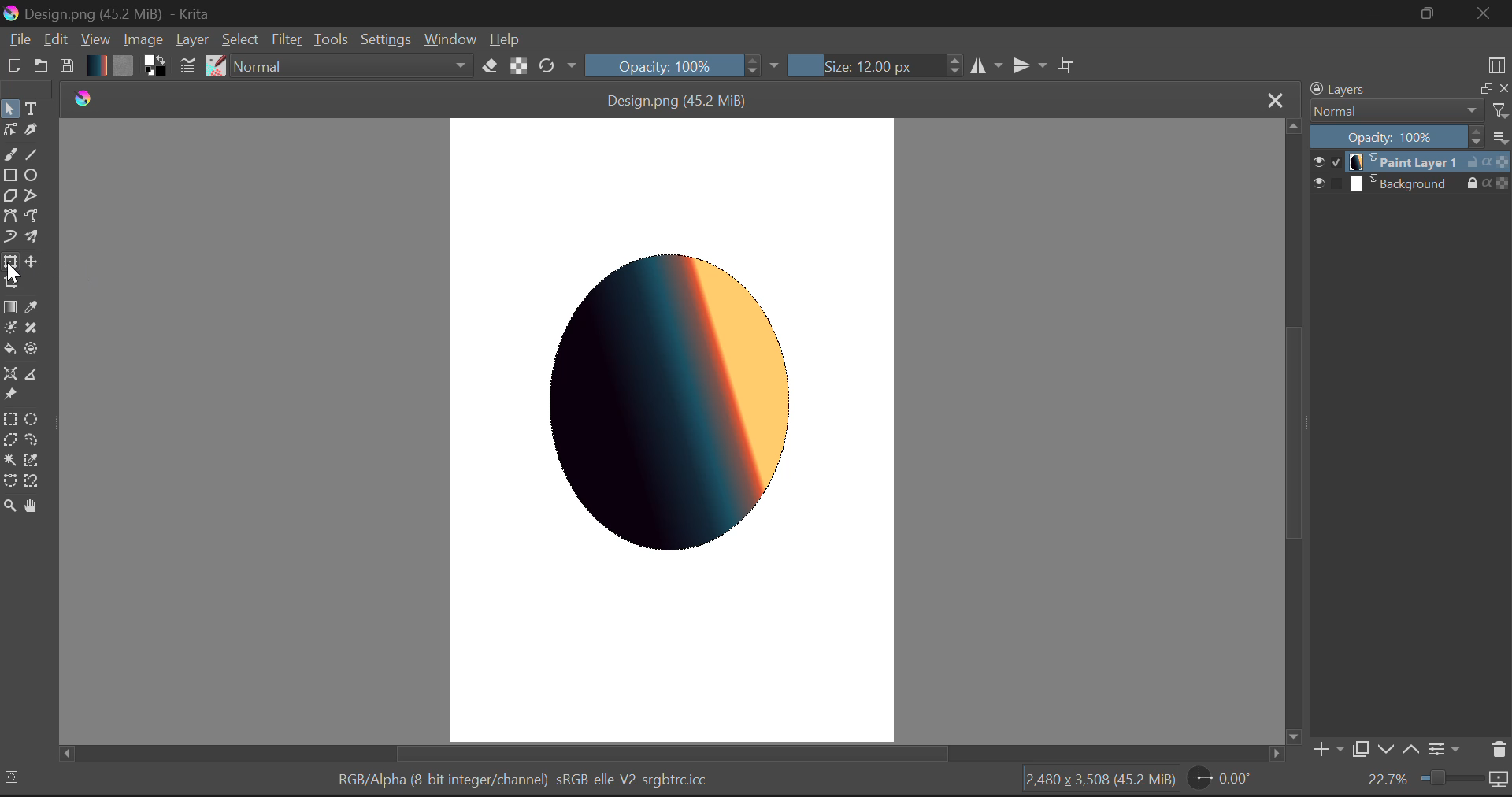  I want to click on Copy Layer, so click(1359, 749).